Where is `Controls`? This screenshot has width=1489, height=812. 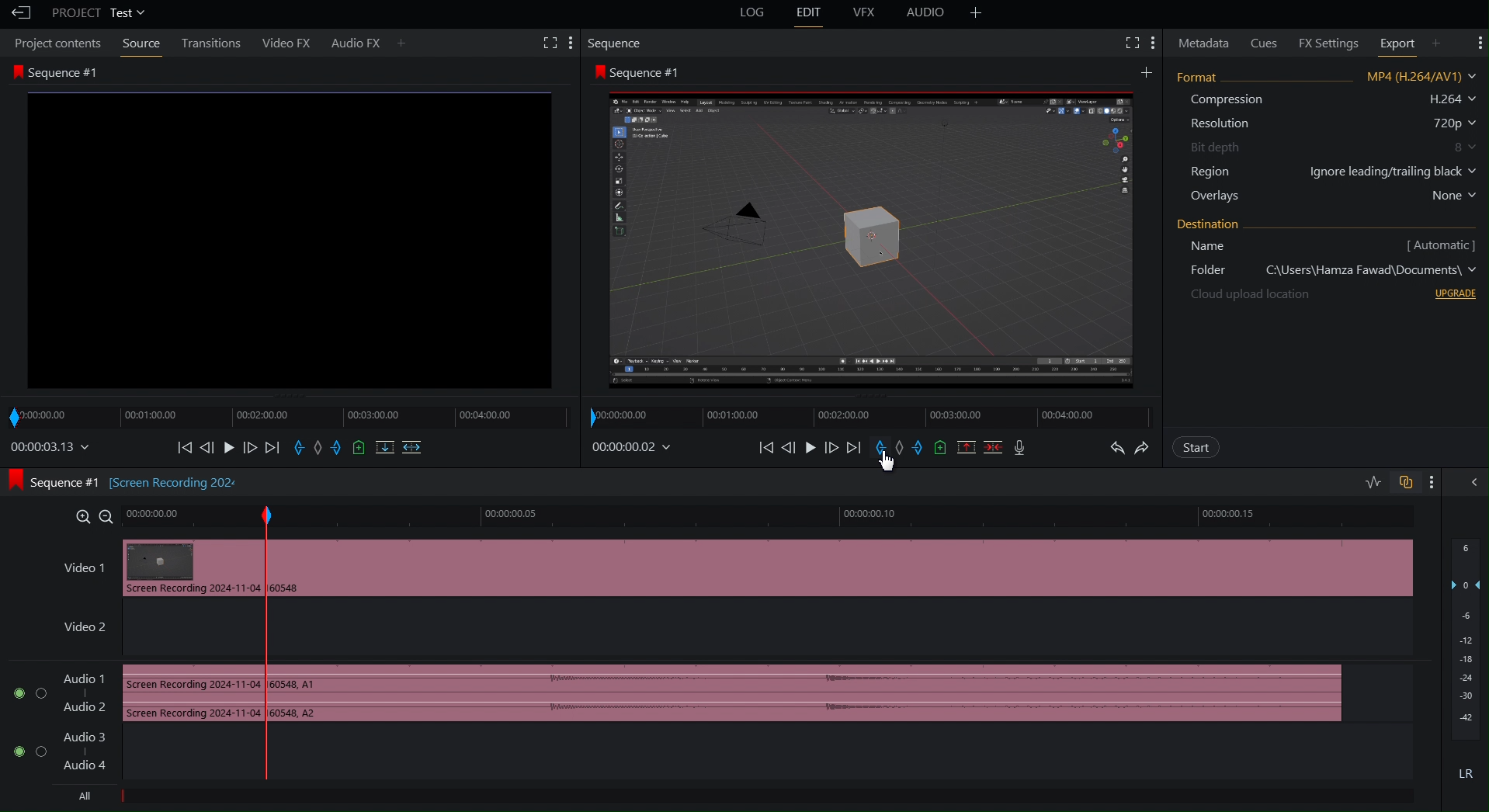 Controls is located at coordinates (304, 451).